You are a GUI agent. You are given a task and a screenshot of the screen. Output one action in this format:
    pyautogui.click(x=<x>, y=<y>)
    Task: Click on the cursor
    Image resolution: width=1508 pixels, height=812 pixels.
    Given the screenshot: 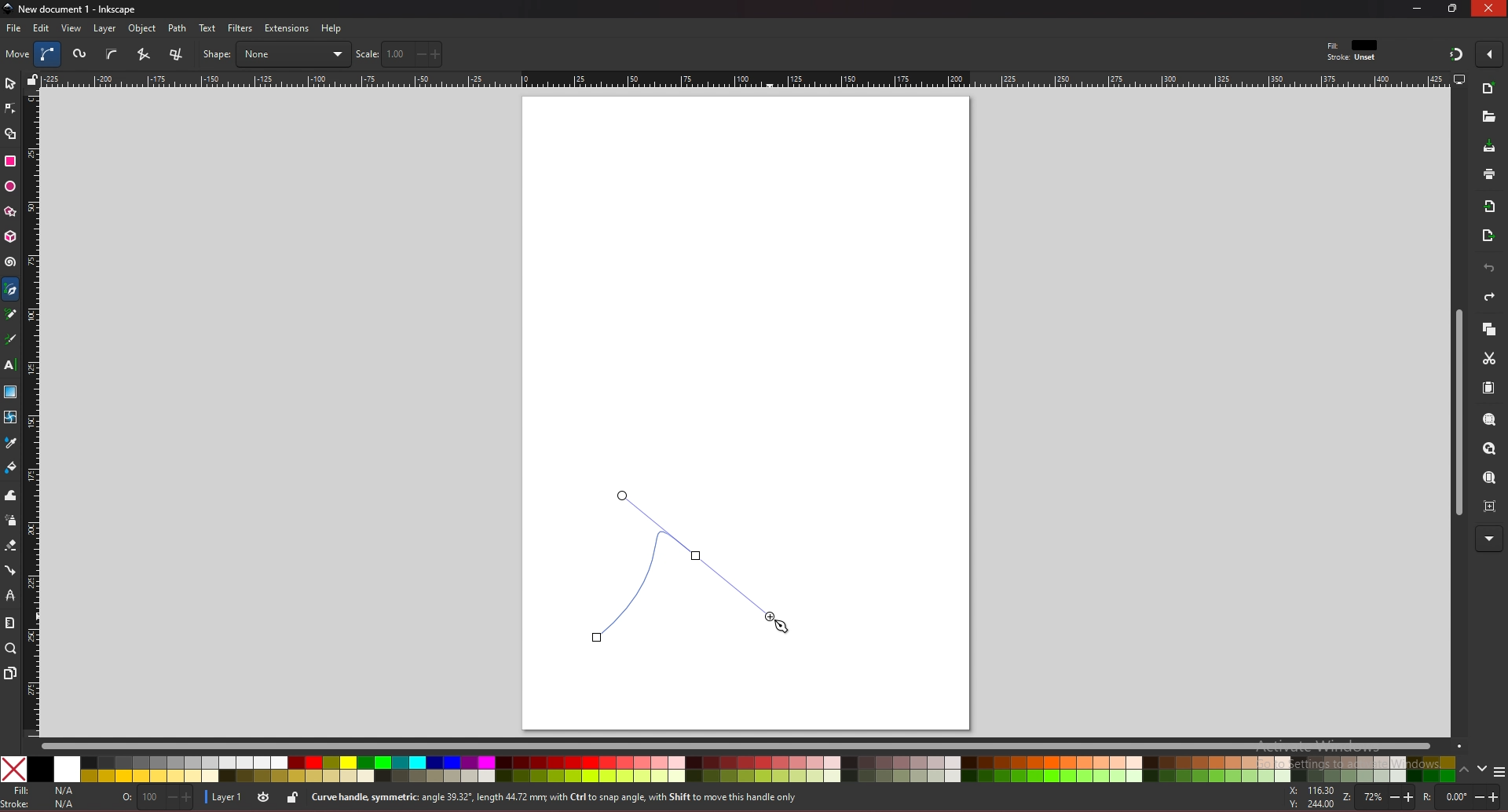 What is the action you would take?
    pyautogui.click(x=782, y=627)
    